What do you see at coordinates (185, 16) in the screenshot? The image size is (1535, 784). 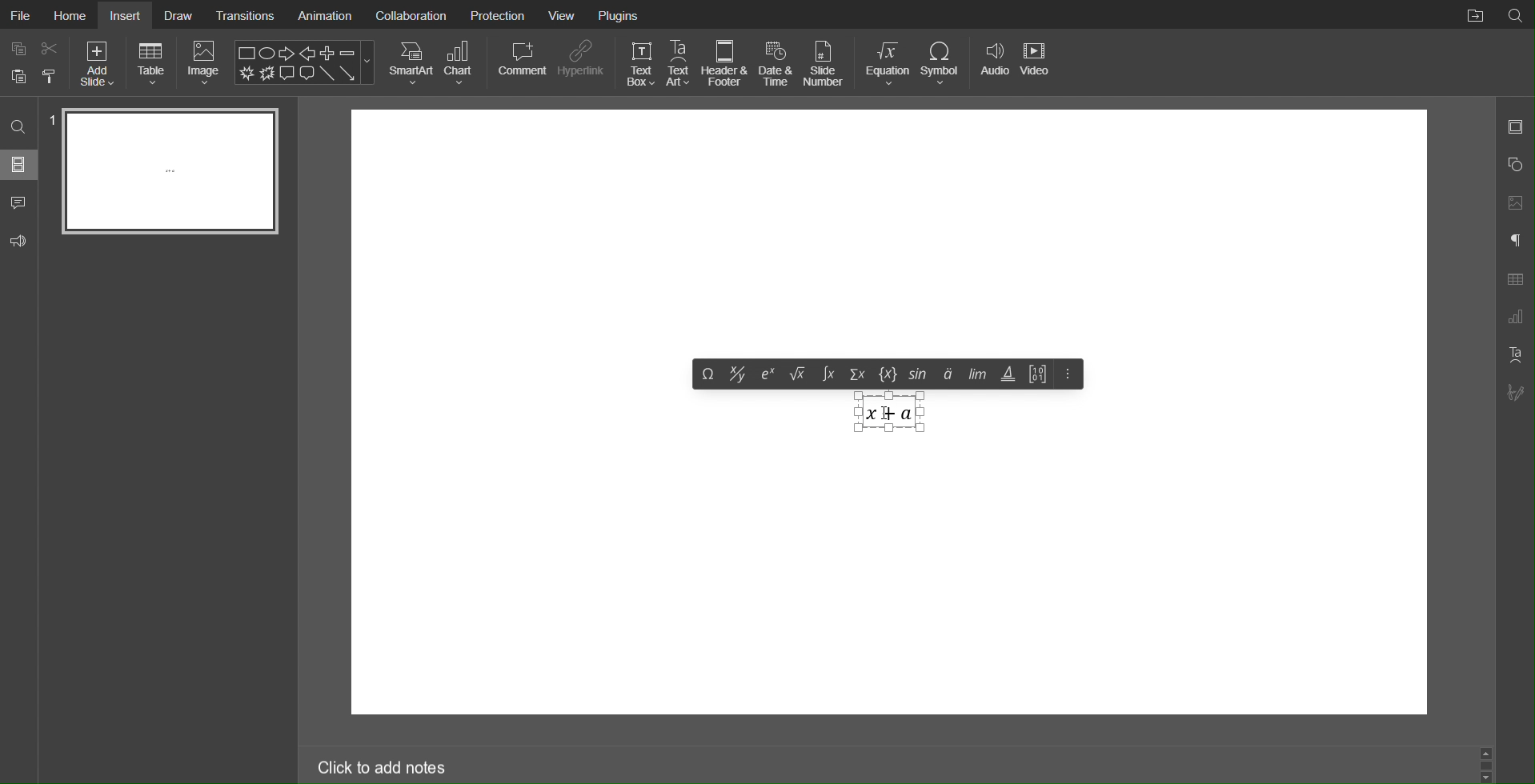 I see `Draw` at bounding box center [185, 16].